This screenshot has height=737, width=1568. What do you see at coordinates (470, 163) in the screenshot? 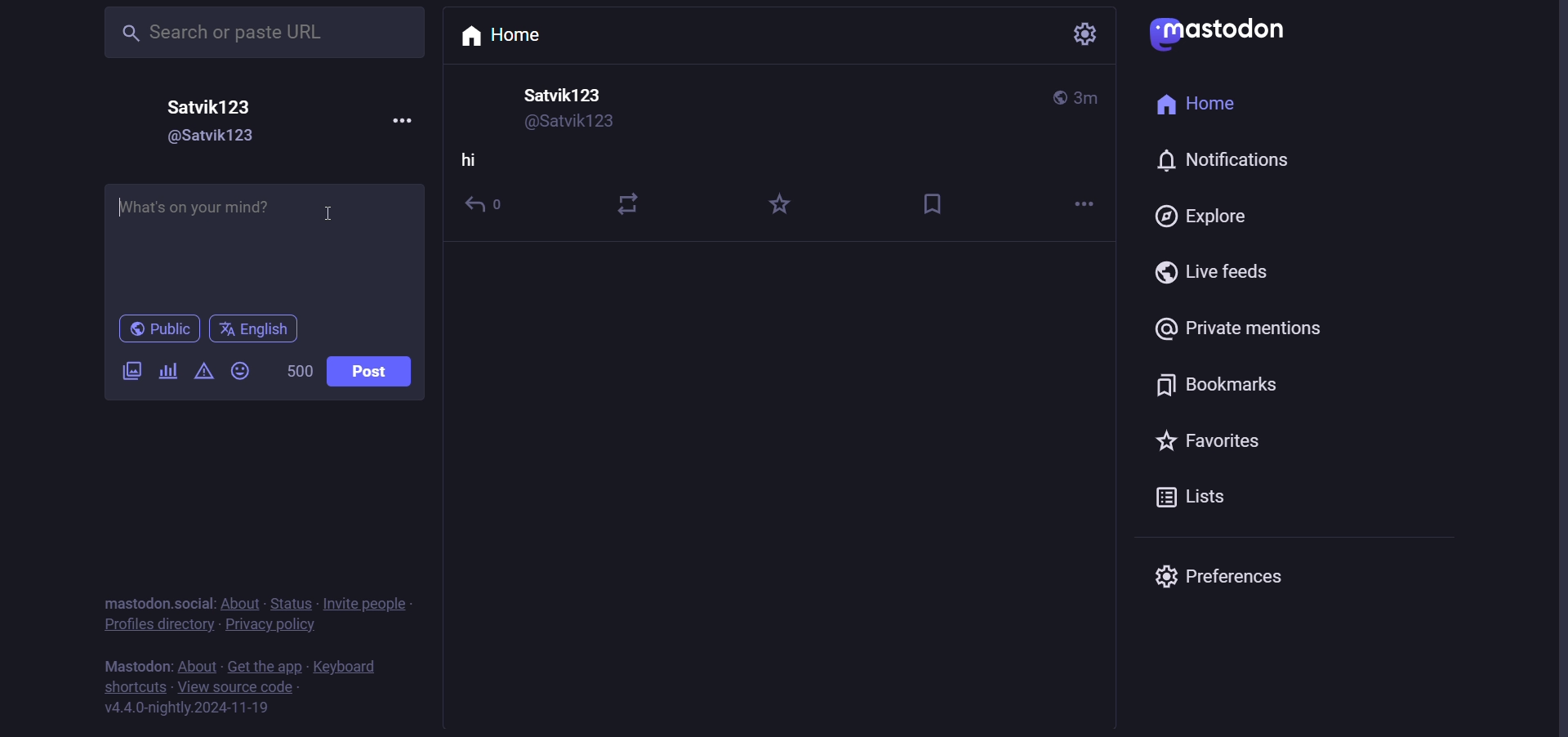
I see `hi` at bounding box center [470, 163].